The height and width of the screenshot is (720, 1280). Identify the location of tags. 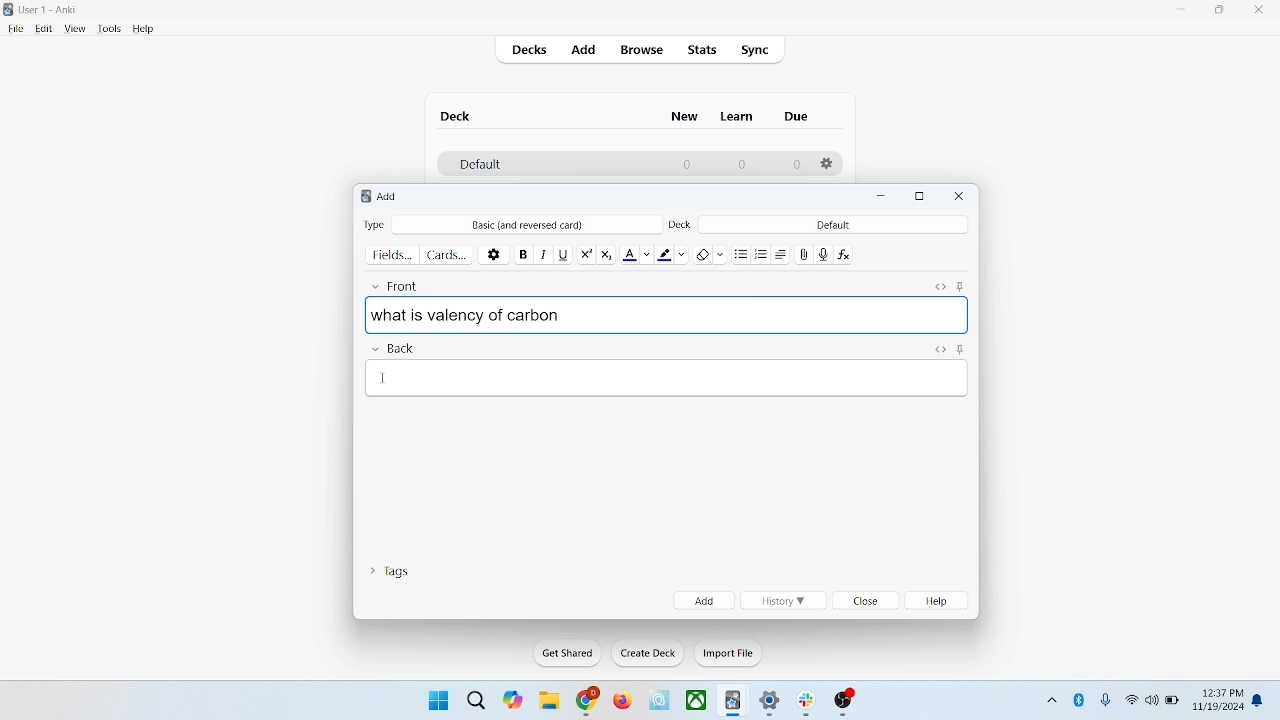
(389, 569).